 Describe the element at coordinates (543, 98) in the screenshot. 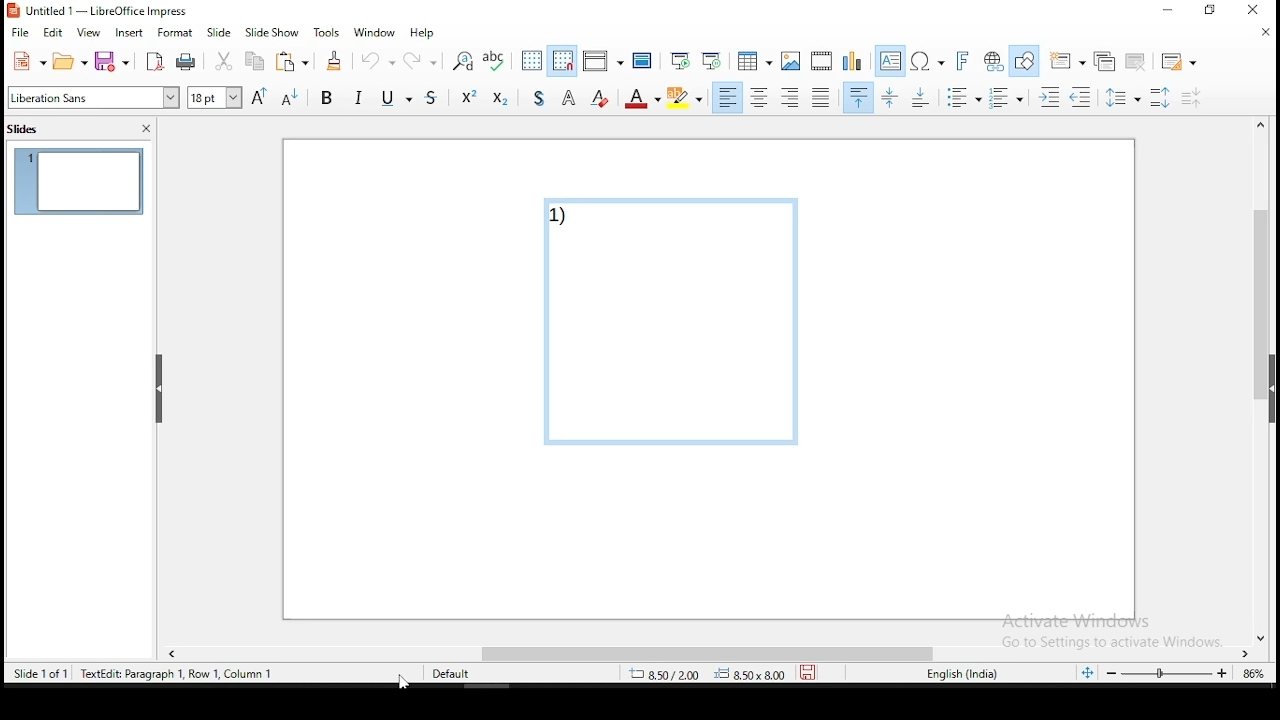

I see `toggle shadow` at that location.